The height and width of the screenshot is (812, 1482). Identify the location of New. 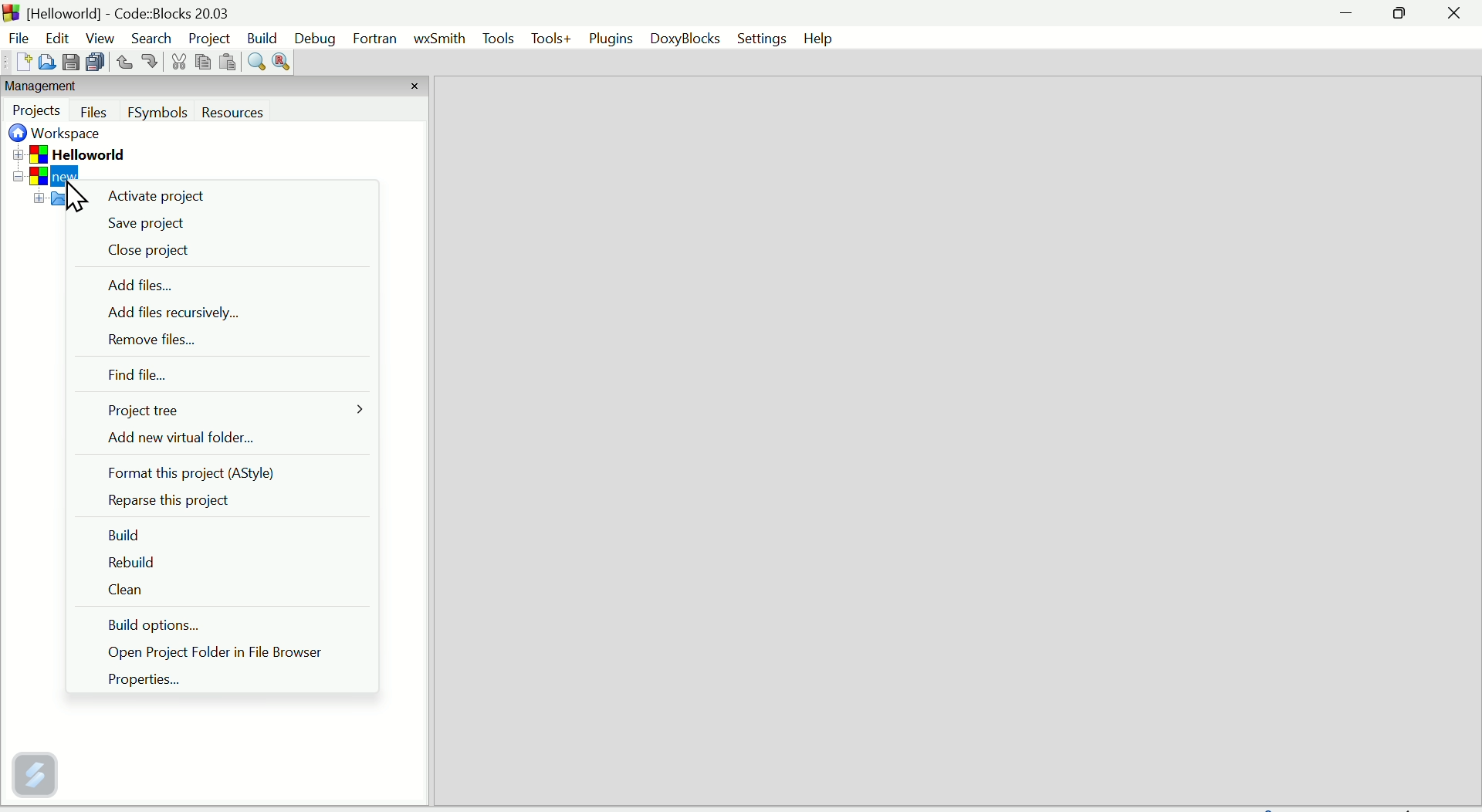
(17, 63).